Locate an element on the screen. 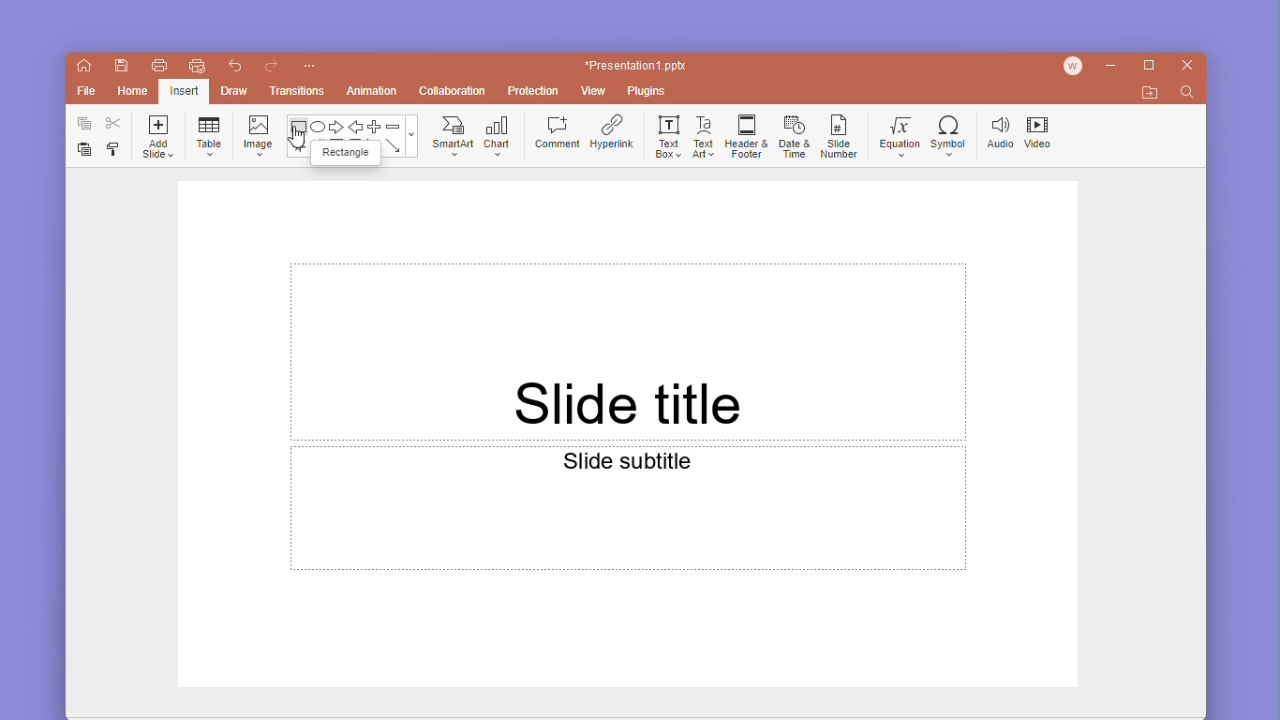 The image size is (1280, 720). view is located at coordinates (596, 91).